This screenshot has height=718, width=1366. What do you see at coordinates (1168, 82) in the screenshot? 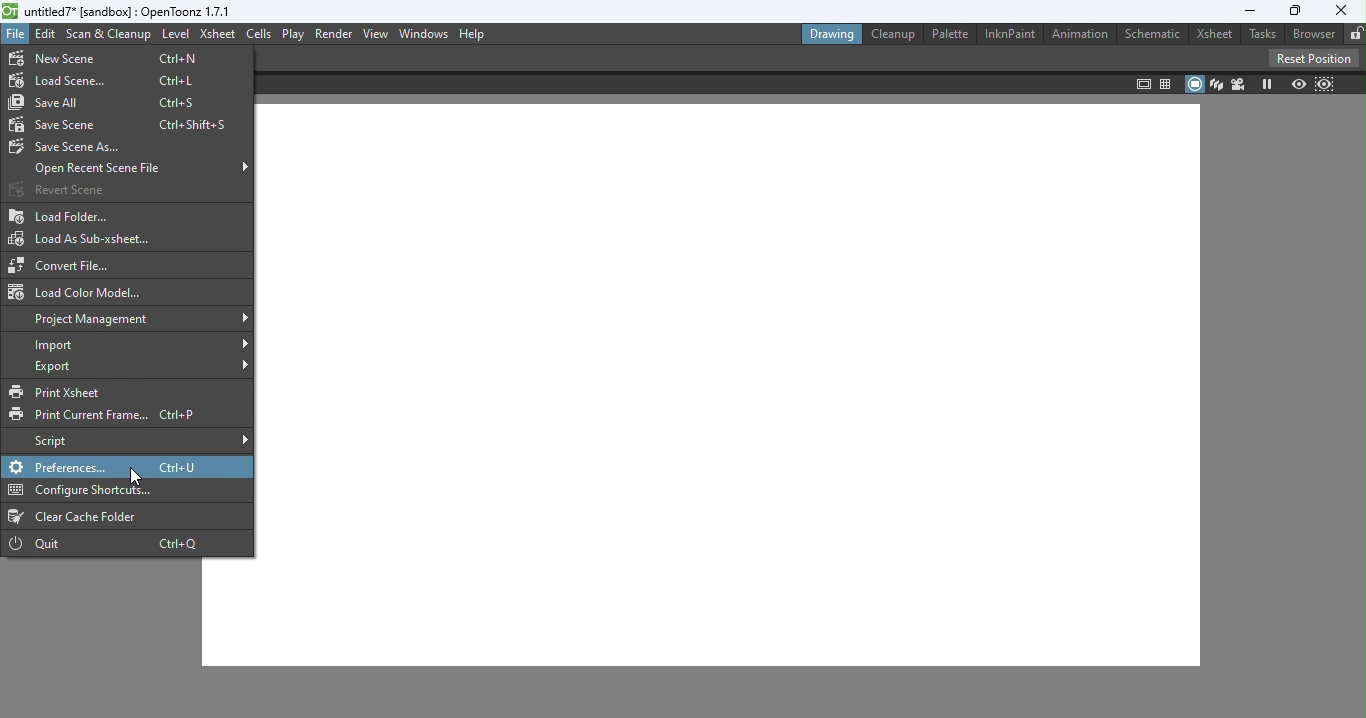
I see `Field guide` at bounding box center [1168, 82].